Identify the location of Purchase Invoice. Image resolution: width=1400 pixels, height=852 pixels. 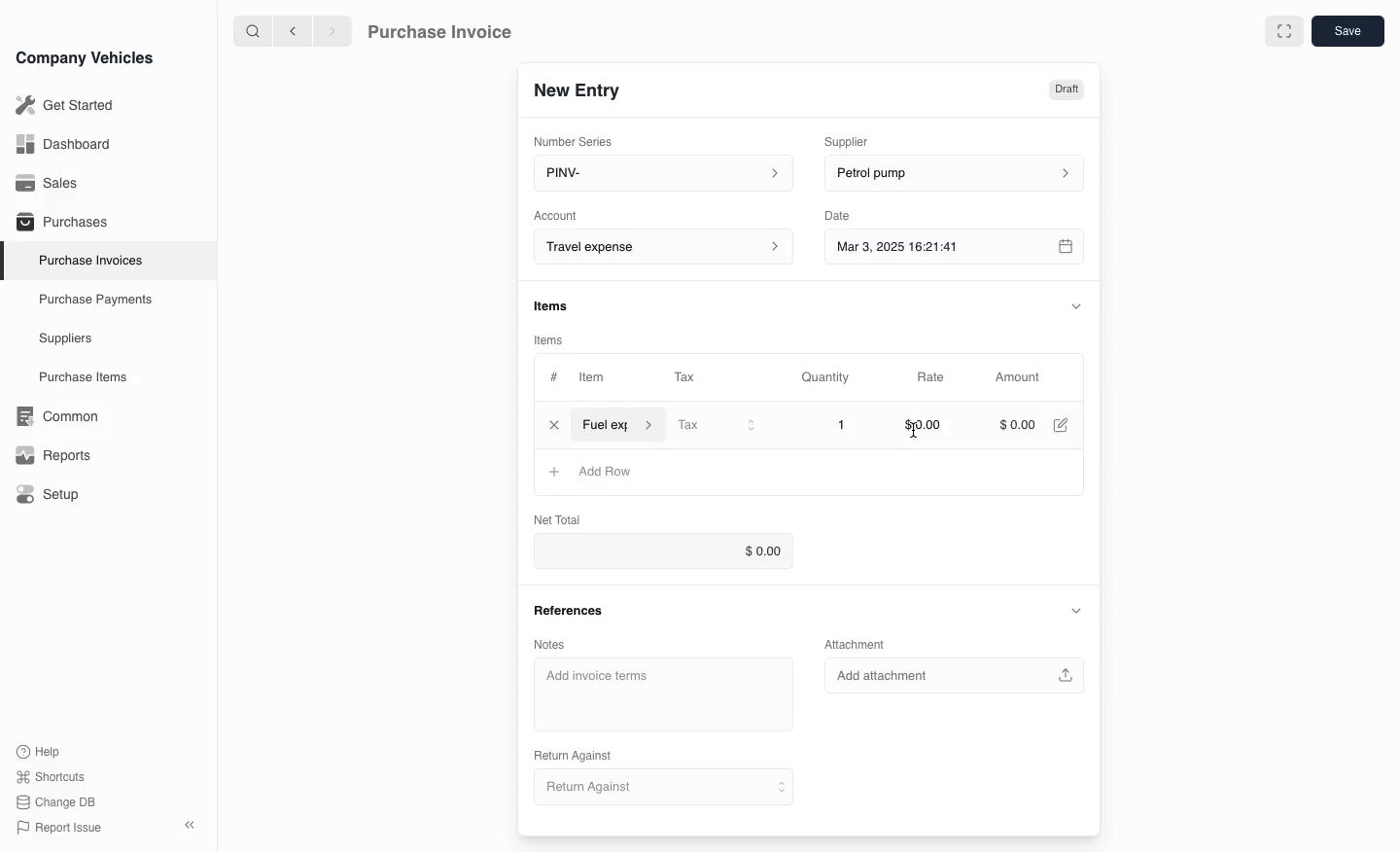
(453, 30).